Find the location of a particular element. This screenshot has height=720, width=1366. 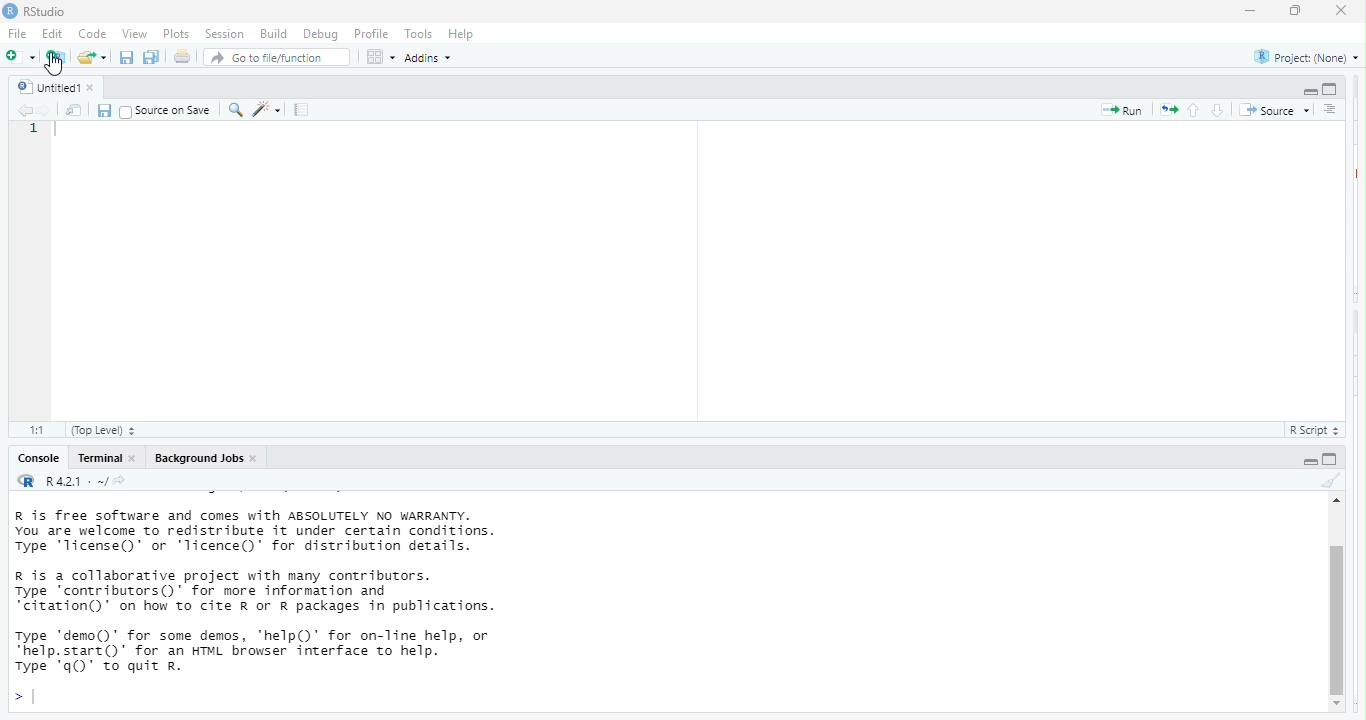

hide console is located at coordinates (1332, 459).